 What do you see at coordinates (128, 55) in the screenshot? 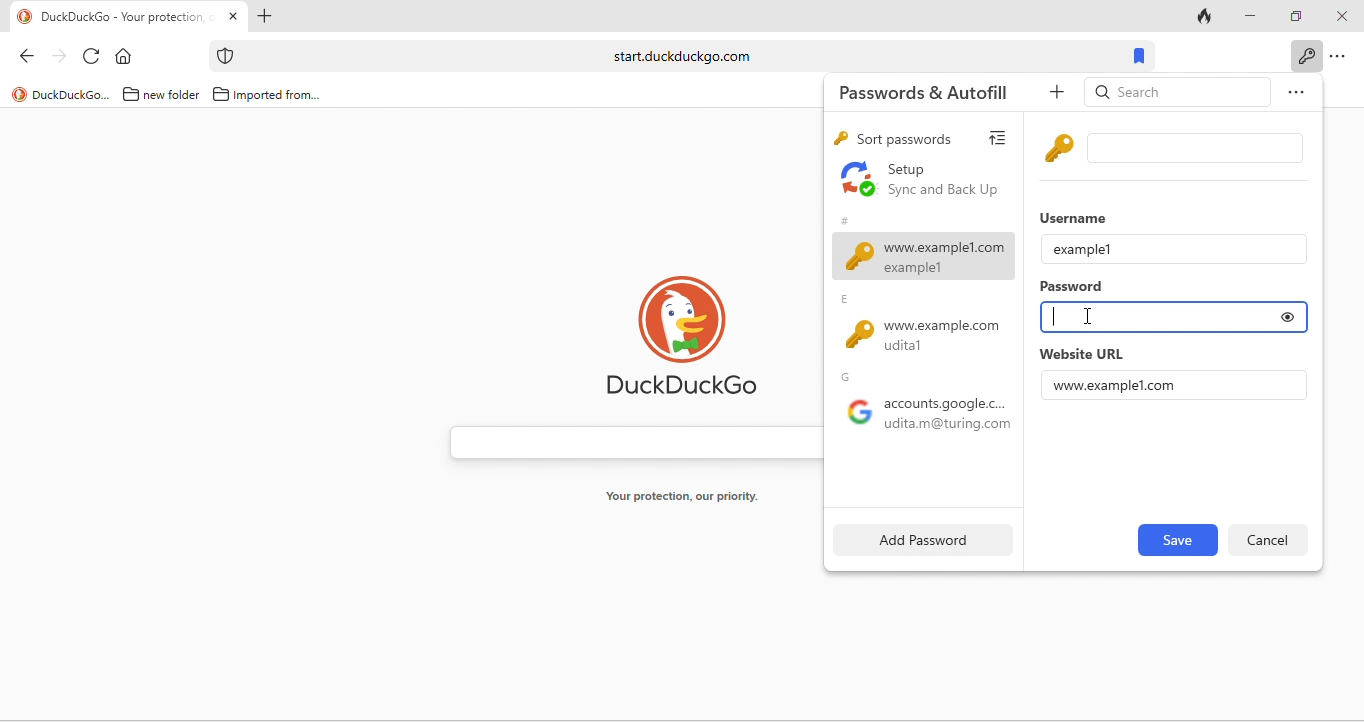
I see `home` at bounding box center [128, 55].